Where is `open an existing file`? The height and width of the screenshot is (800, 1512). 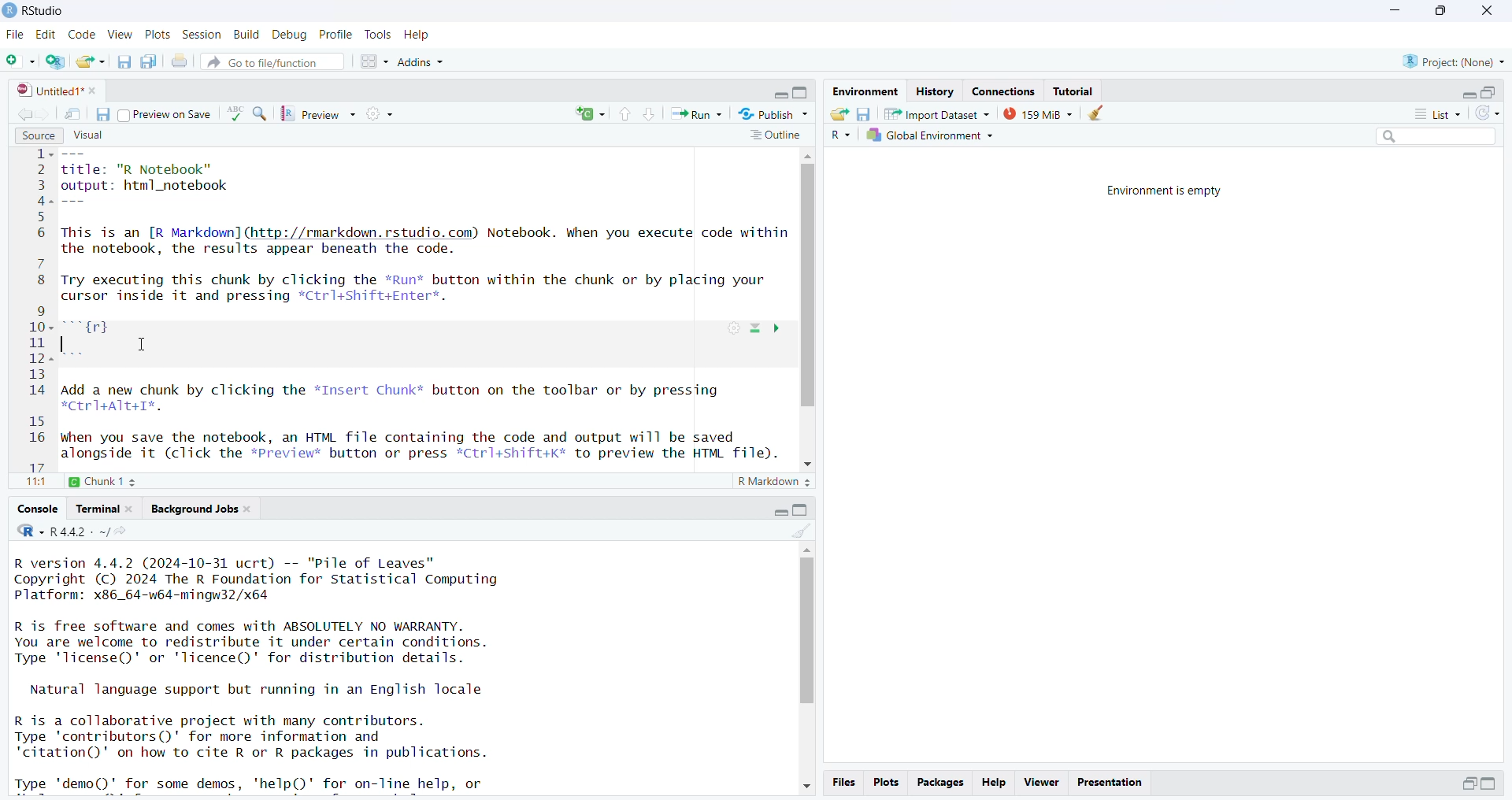
open an existing file is located at coordinates (91, 61).